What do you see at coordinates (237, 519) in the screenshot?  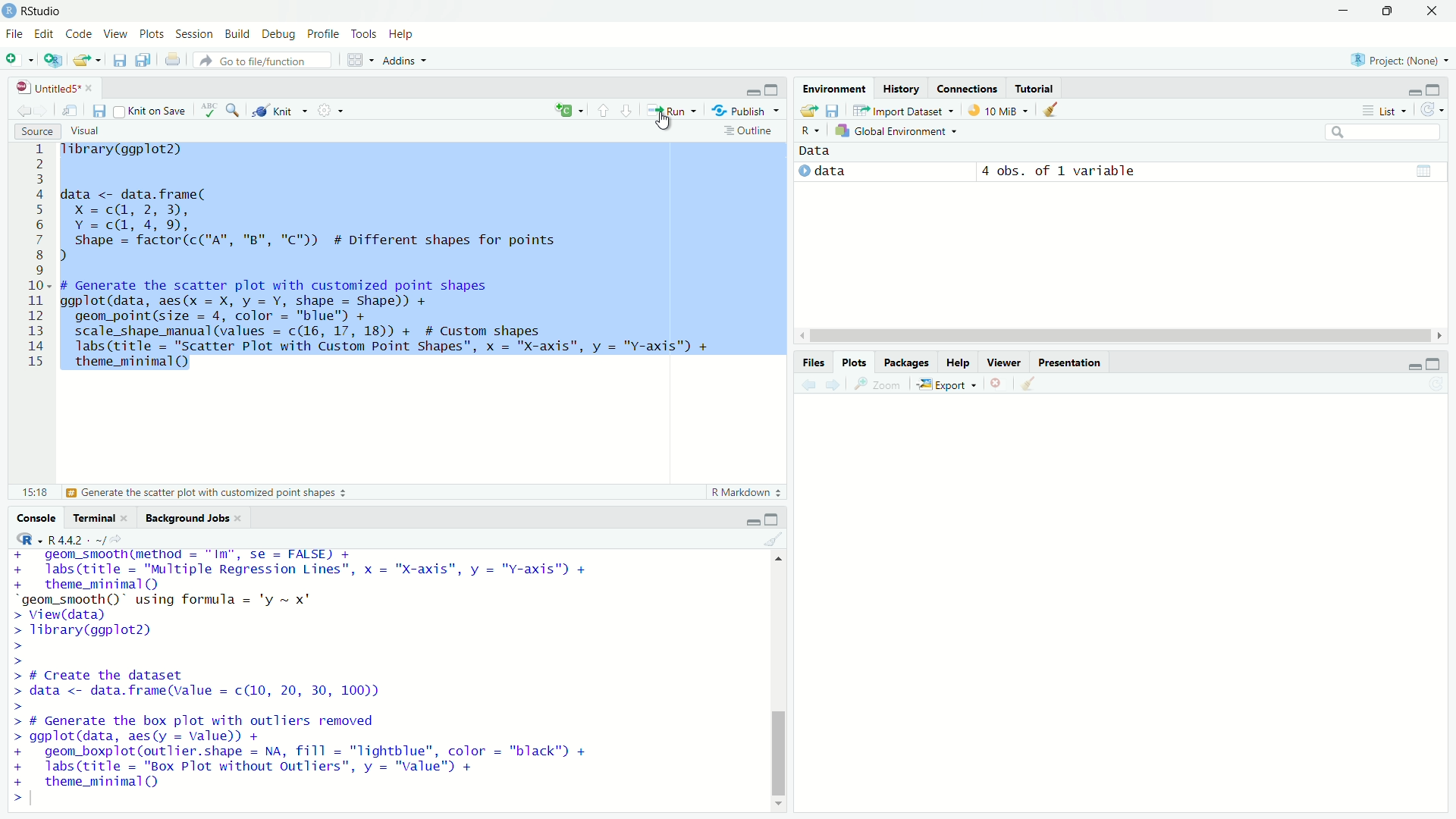 I see `close` at bounding box center [237, 519].